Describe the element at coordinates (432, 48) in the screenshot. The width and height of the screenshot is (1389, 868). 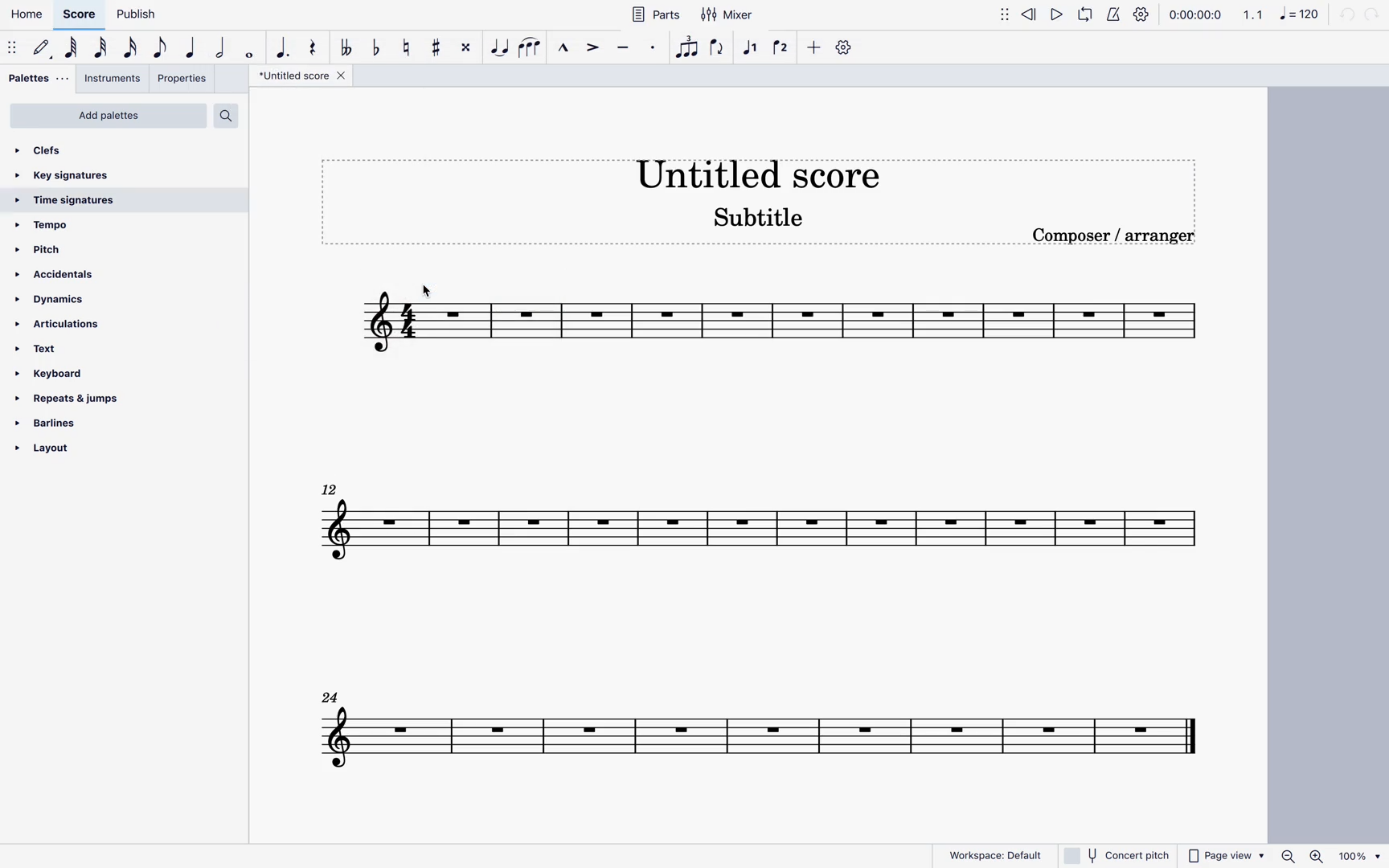
I see `toggle sharp` at that location.